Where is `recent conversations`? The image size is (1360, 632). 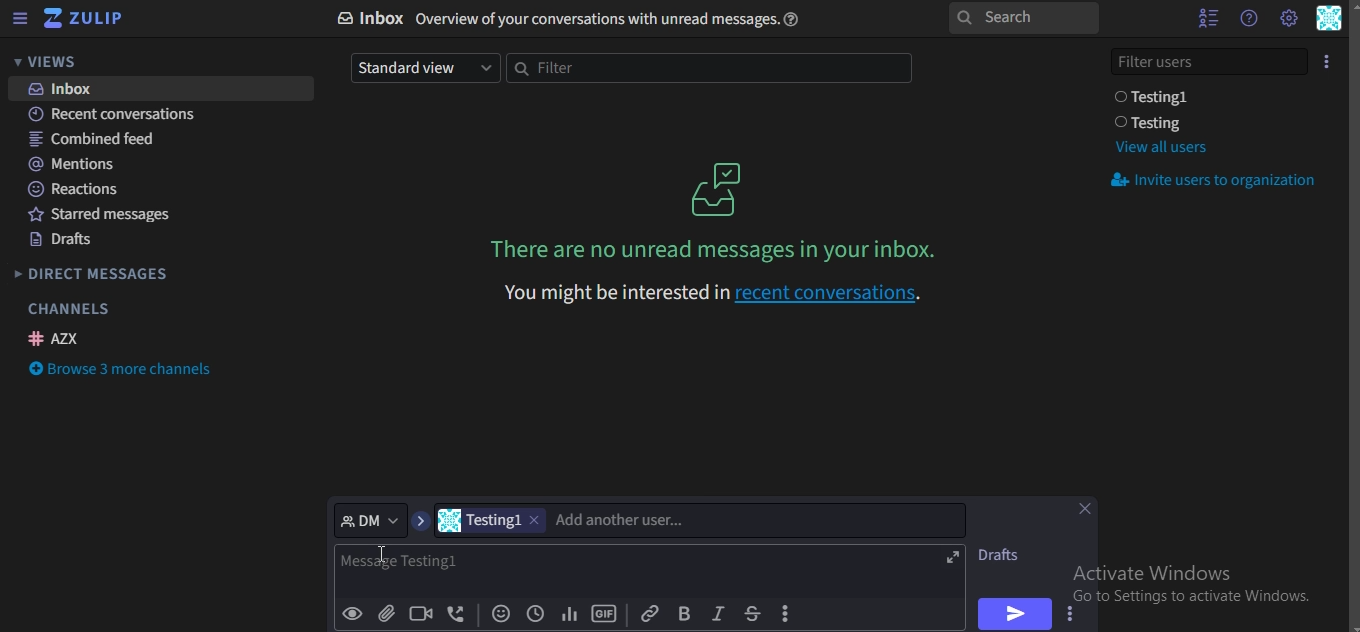
recent conversations is located at coordinates (125, 116).